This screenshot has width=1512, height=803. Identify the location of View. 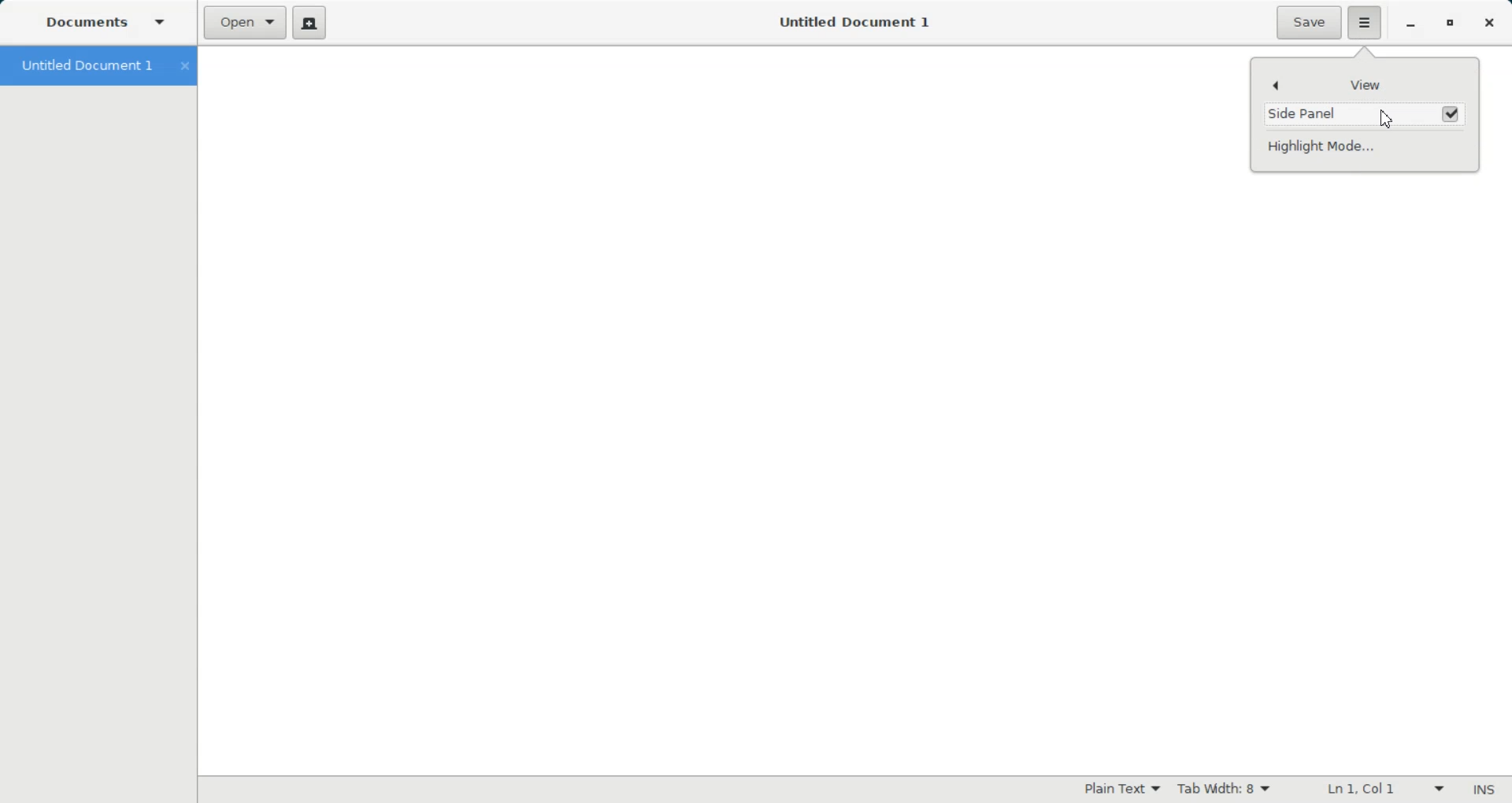
(1364, 84).